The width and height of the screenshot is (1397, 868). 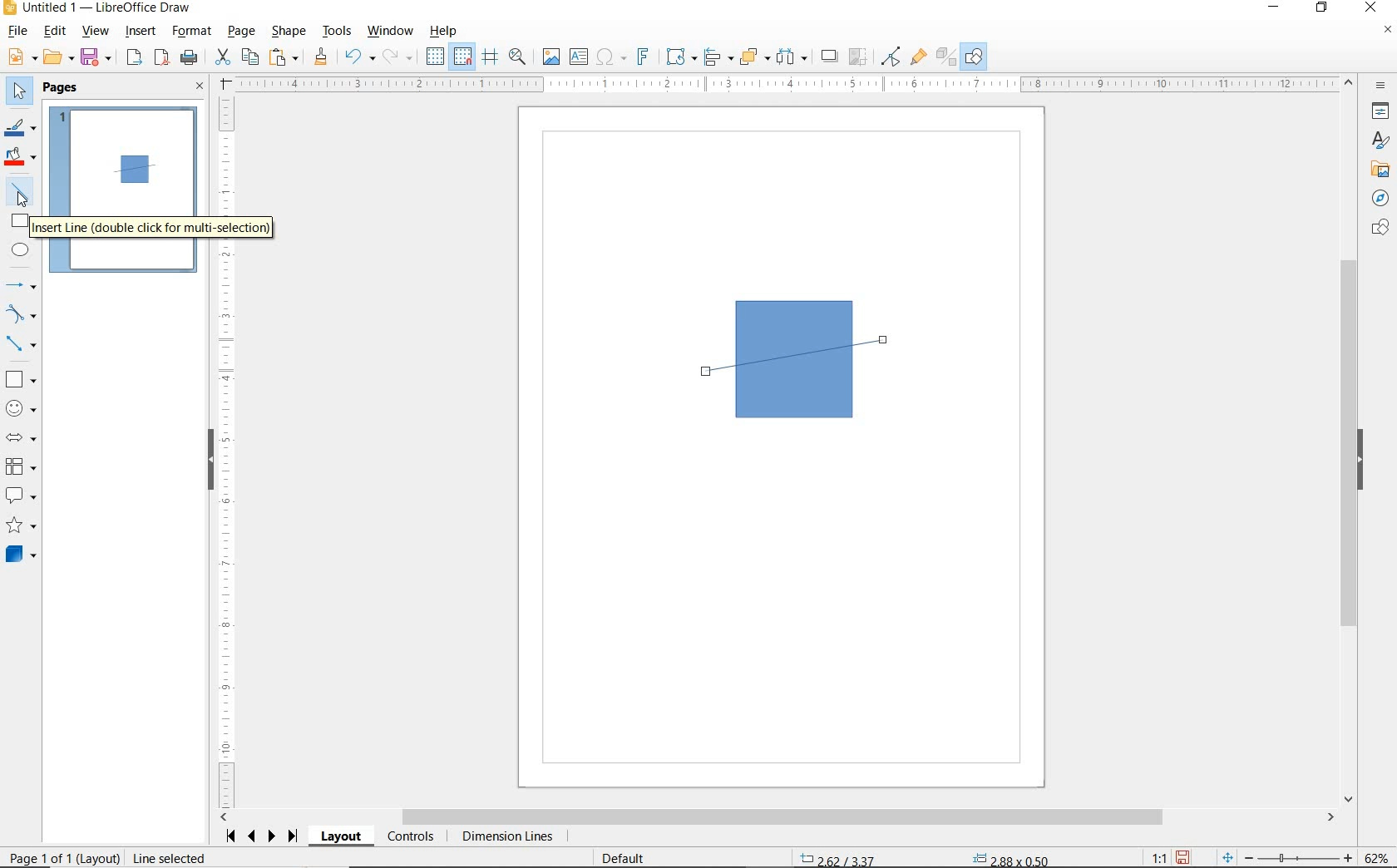 What do you see at coordinates (19, 377) in the screenshot?
I see `BASIC SHAPES` at bounding box center [19, 377].